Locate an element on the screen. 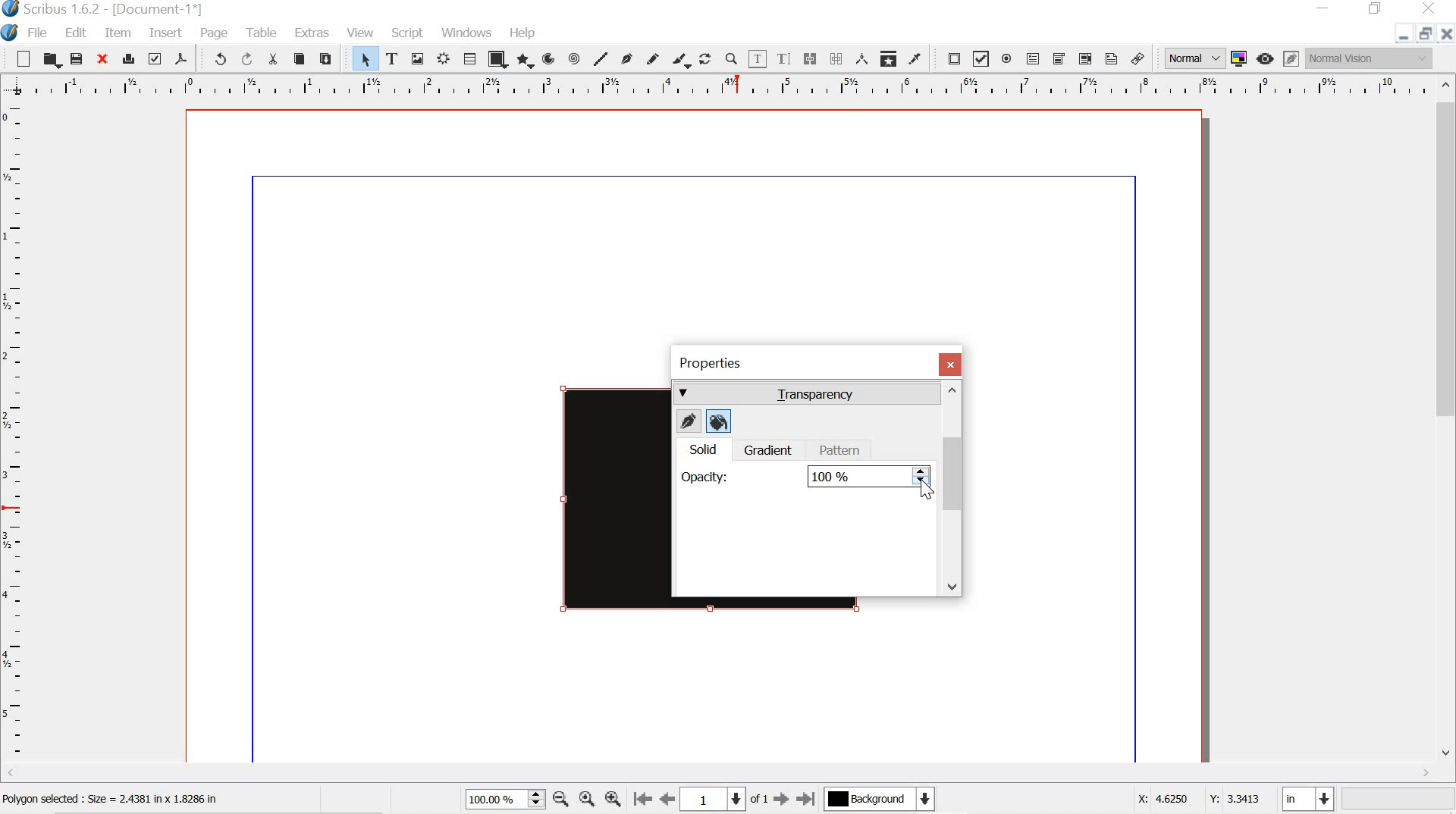 This screenshot has height=814, width=1456. of 1 is located at coordinates (759, 799).